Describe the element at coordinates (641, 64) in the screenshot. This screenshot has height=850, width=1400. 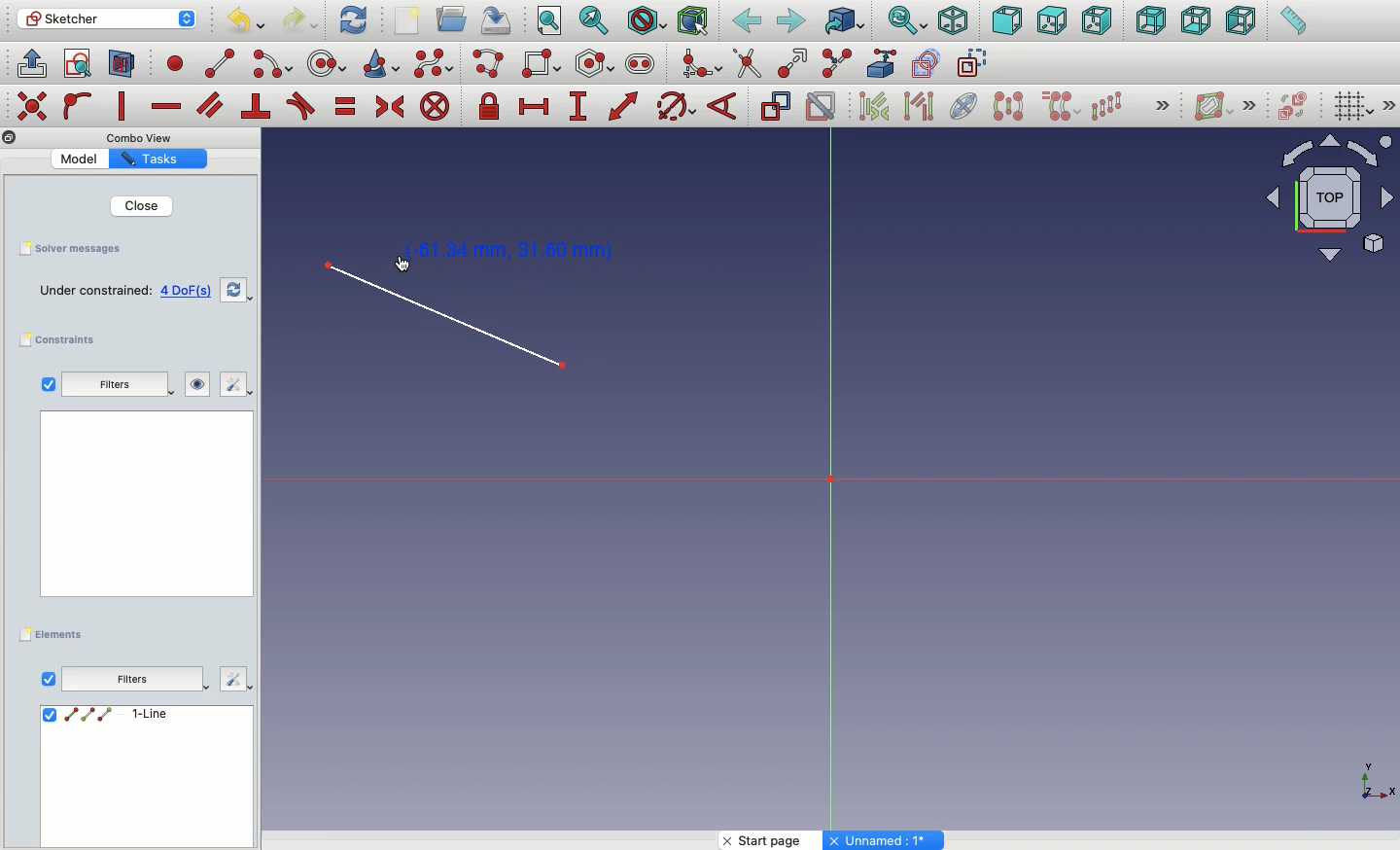
I see `Slot` at that location.